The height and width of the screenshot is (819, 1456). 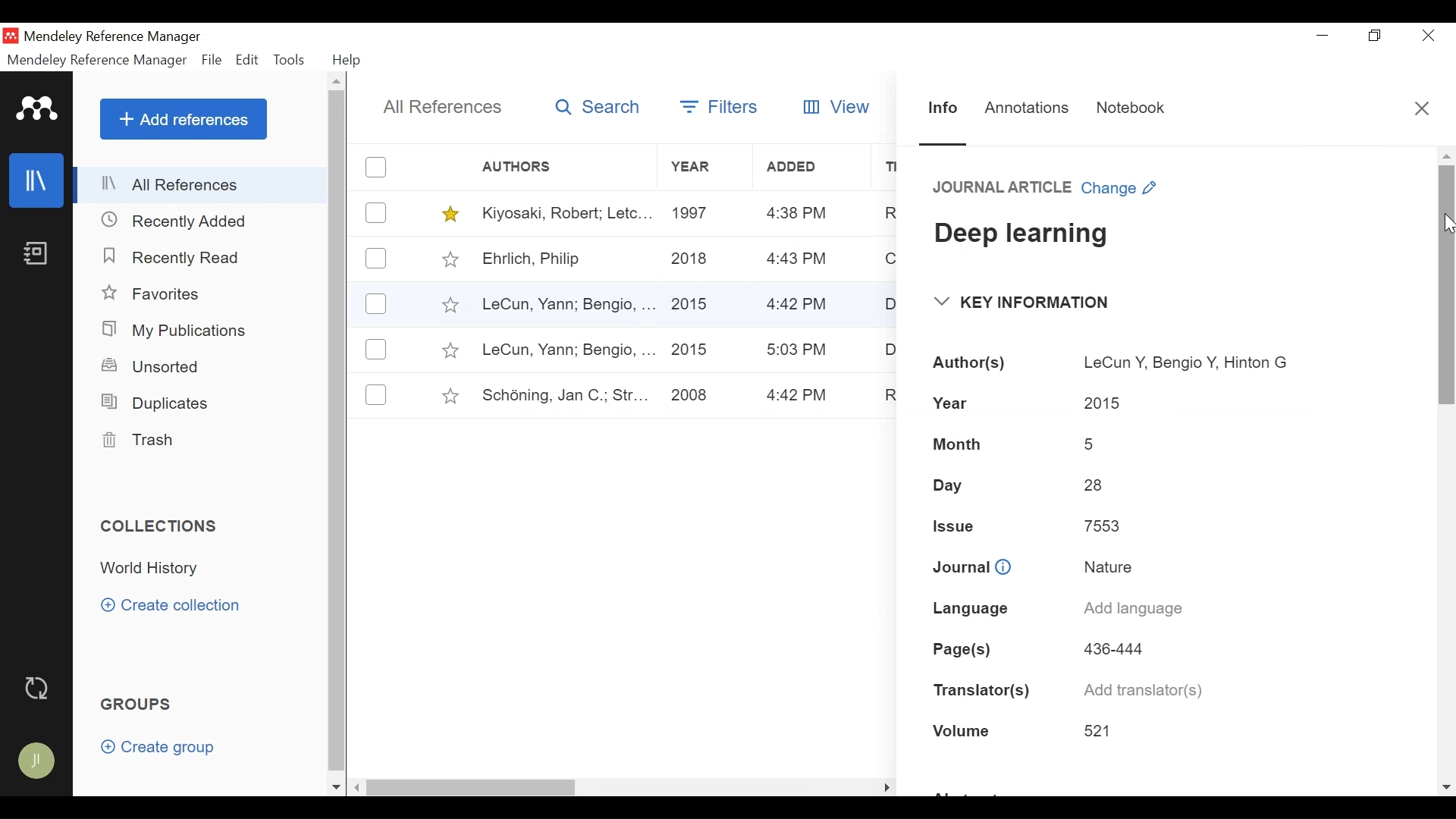 I want to click on Month, so click(x=965, y=445).